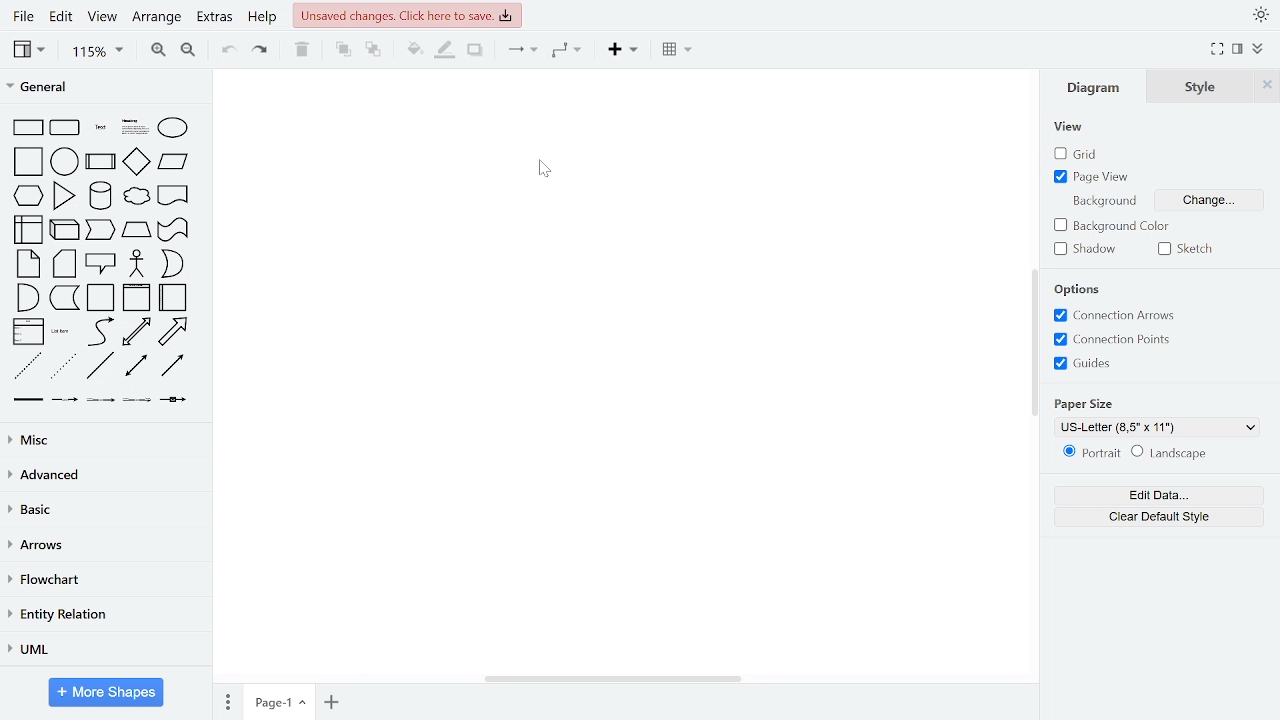 This screenshot has height=720, width=1280. What do you see at coordinates (100, 228) in the screenshot?
I see `step` at bounding box center [100, 228].